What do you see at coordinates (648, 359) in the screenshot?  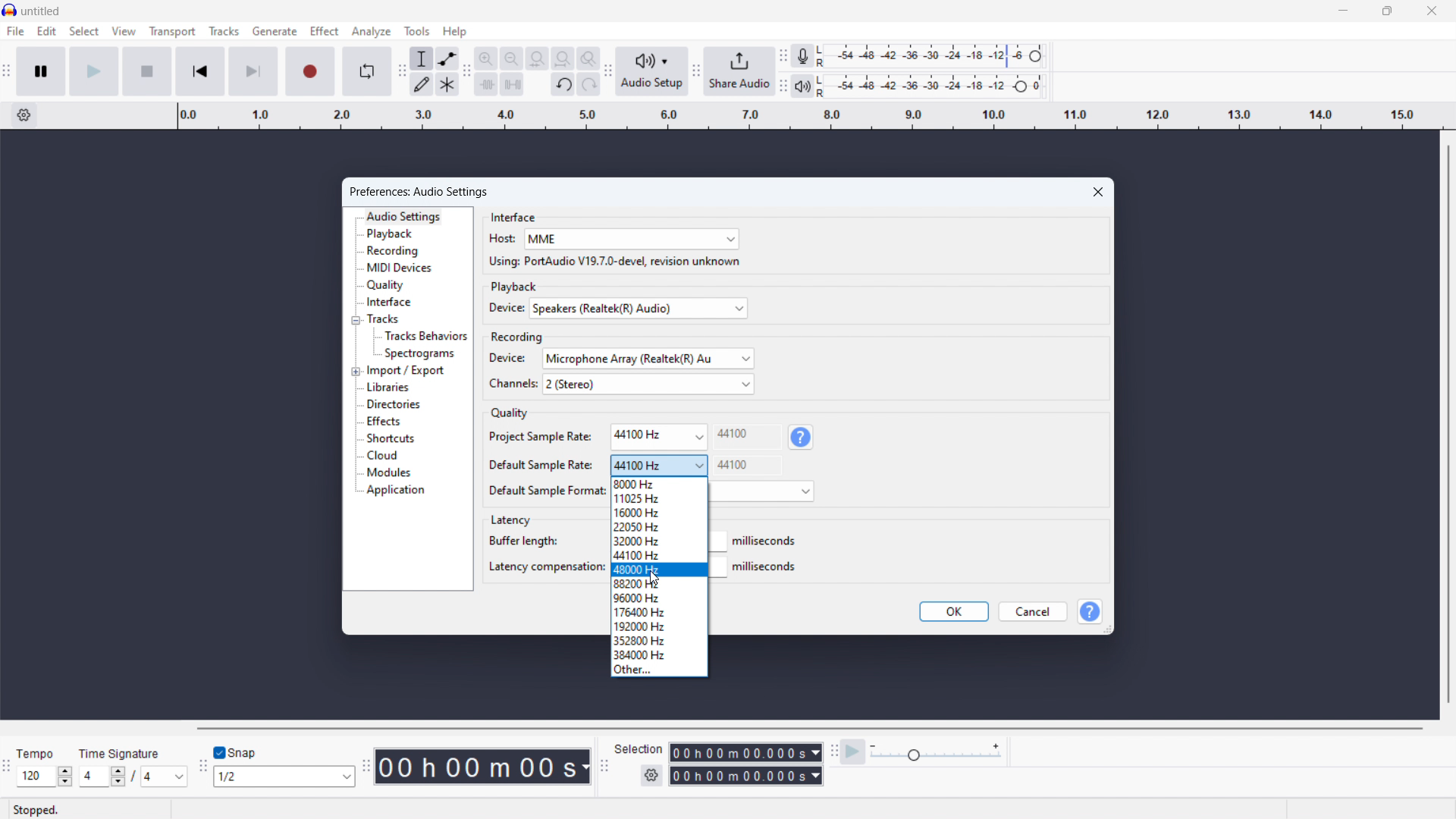 I see `recording device` at bounding box center [648, 359].